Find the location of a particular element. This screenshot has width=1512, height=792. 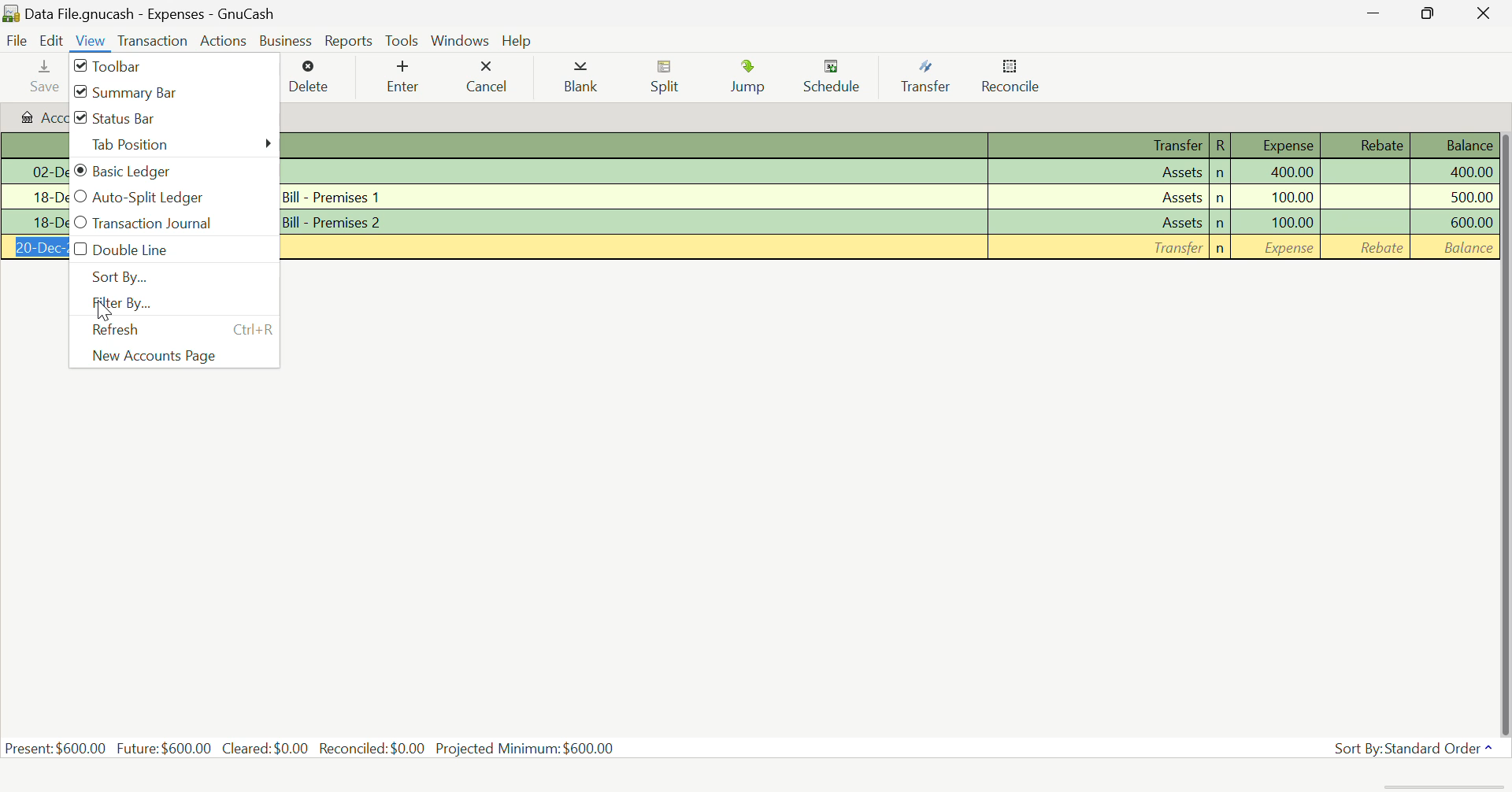

Rebate is located at coordinates (1366, 247).